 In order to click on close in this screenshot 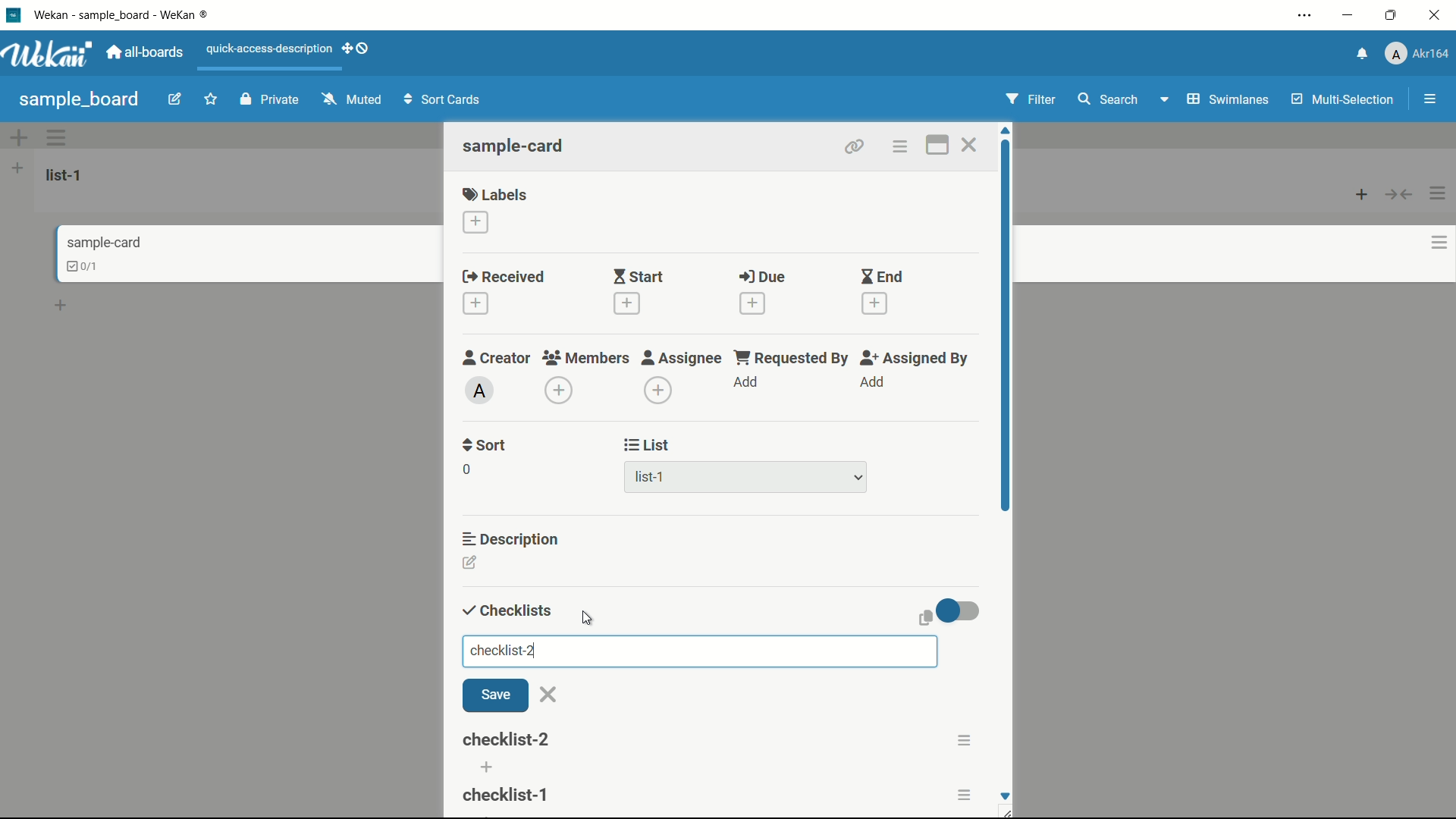, I will do `click(549, 695)`.